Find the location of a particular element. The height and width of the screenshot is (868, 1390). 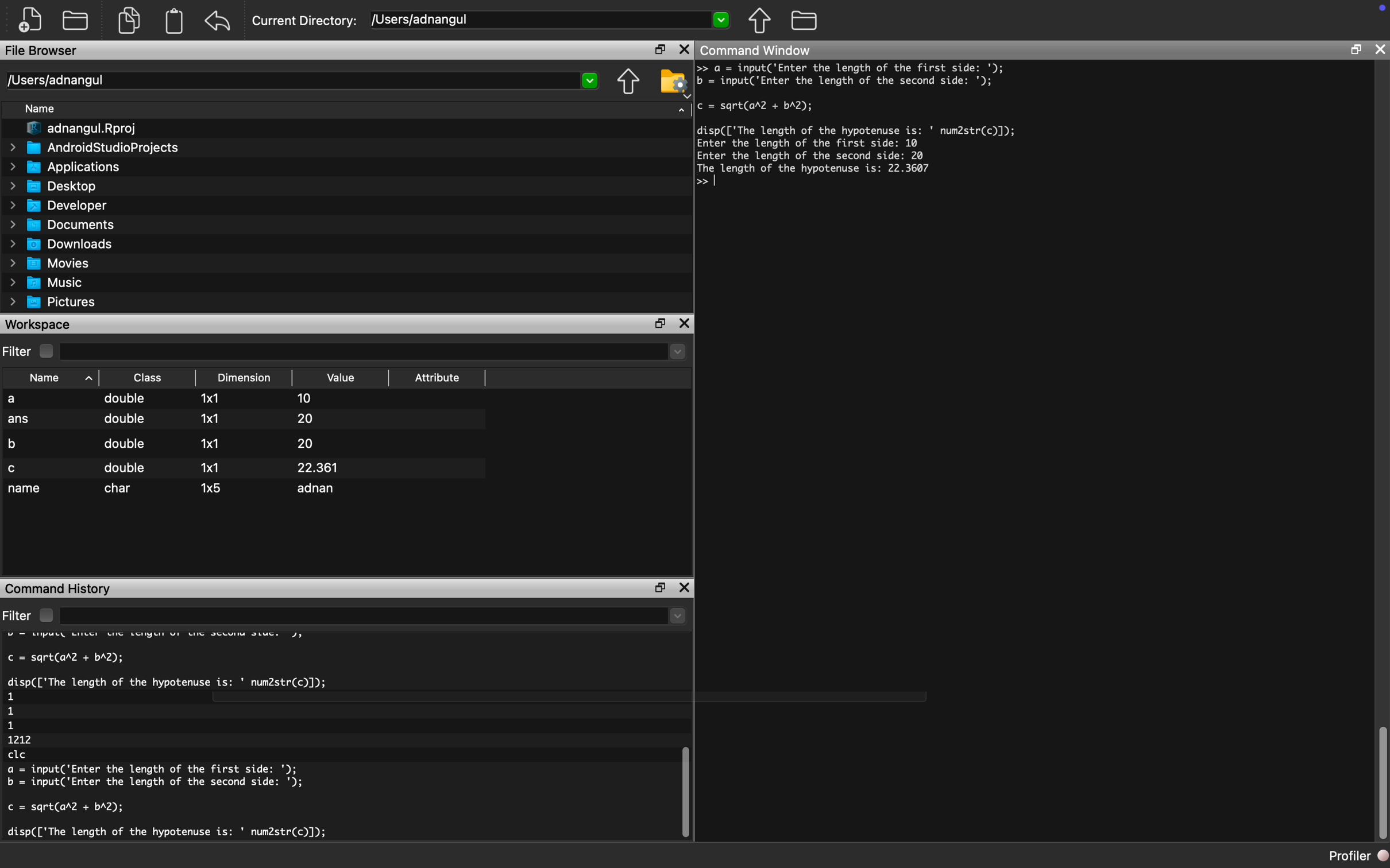

restore down is located at coordinates (1355, 52).